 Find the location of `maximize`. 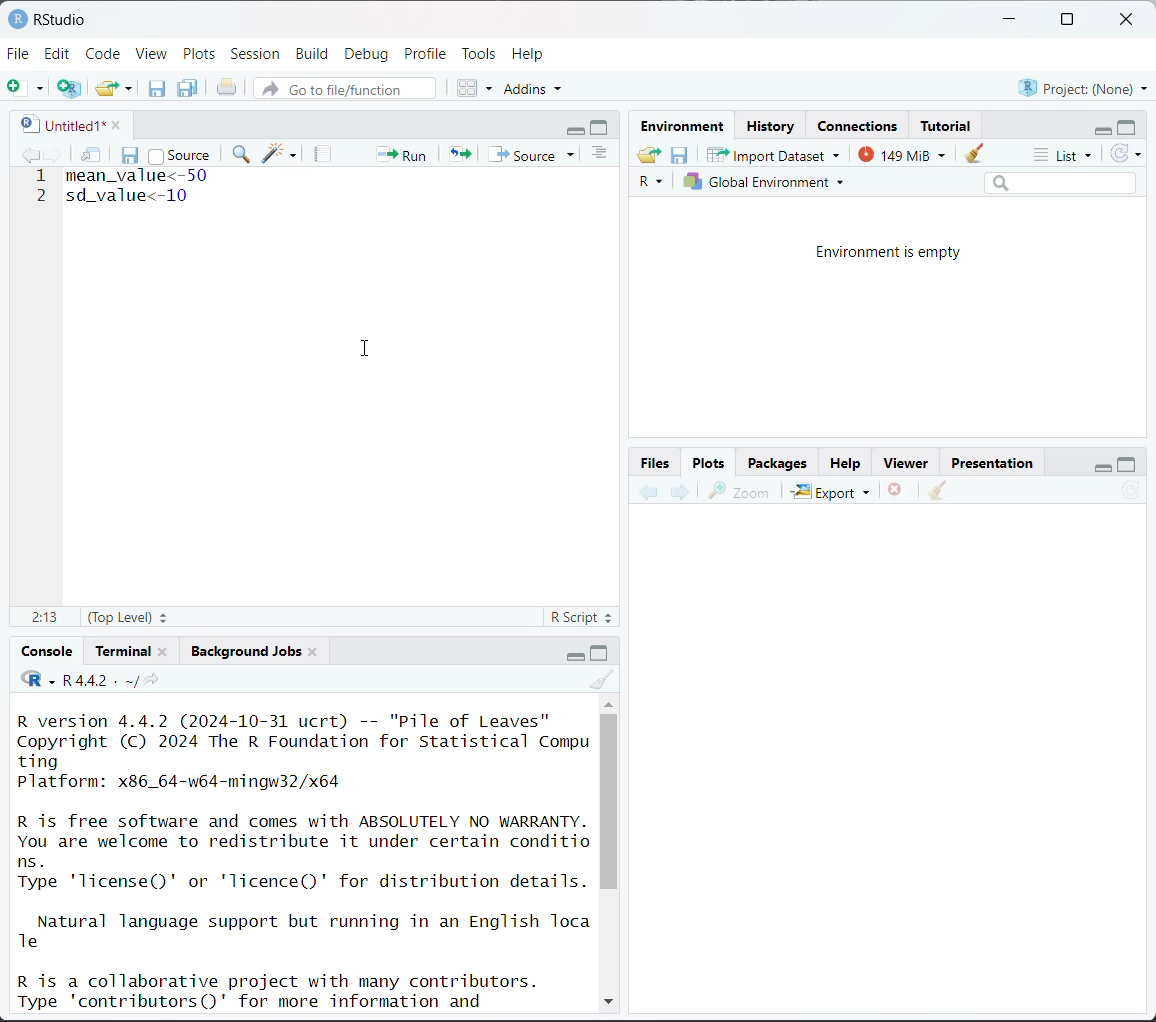

maximize is located at coordinates (1066, 20).